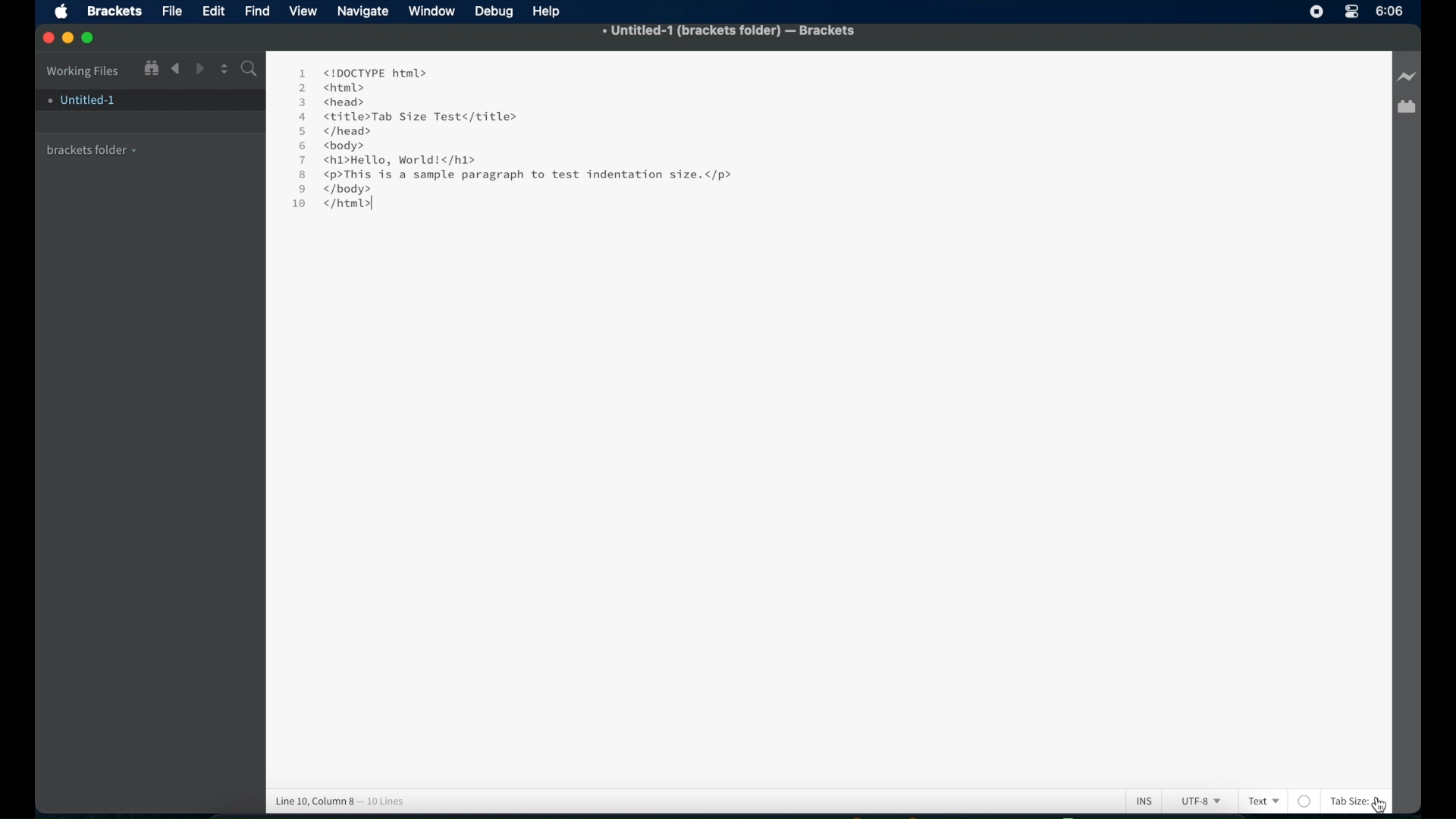 This screenshot has height=819, width=1456. Describe the element at coordinates (334, 132) in the screenshot. I see `5 </head>` at that location.